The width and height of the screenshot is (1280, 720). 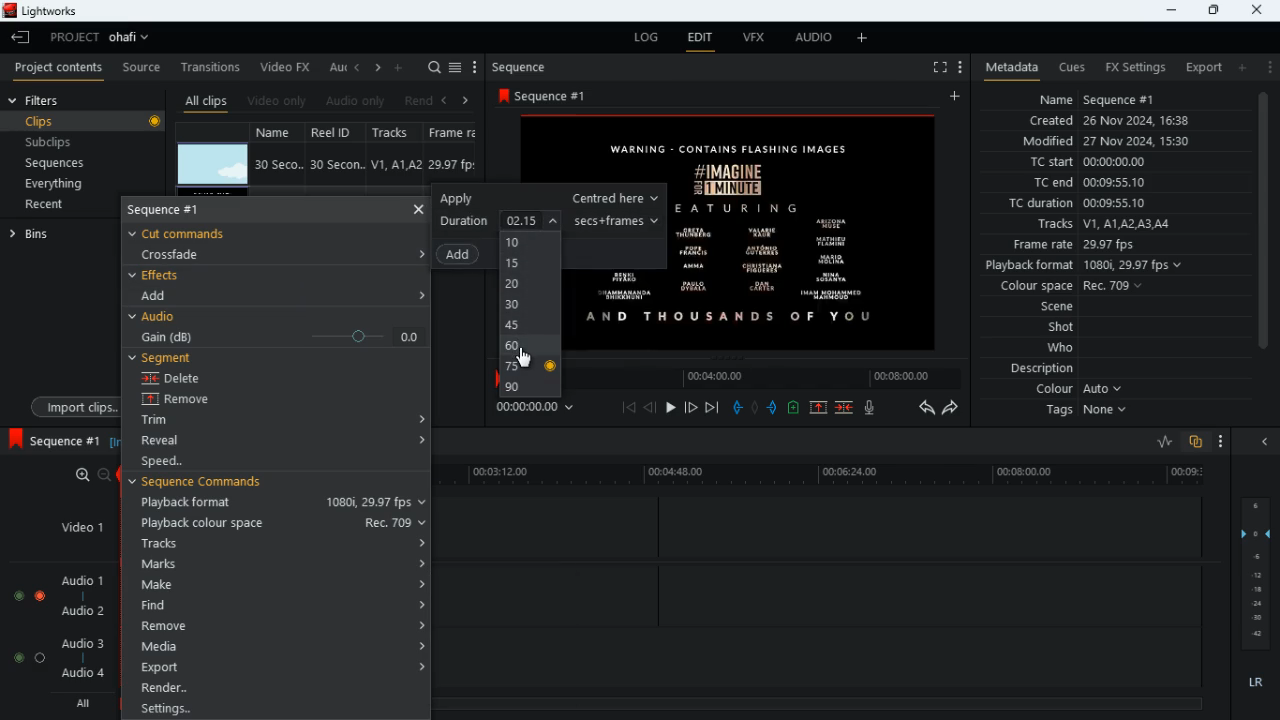 What do you see at coordinates (528, 307) in the screenshot?
I see `30` at bounding box center [528, 307].